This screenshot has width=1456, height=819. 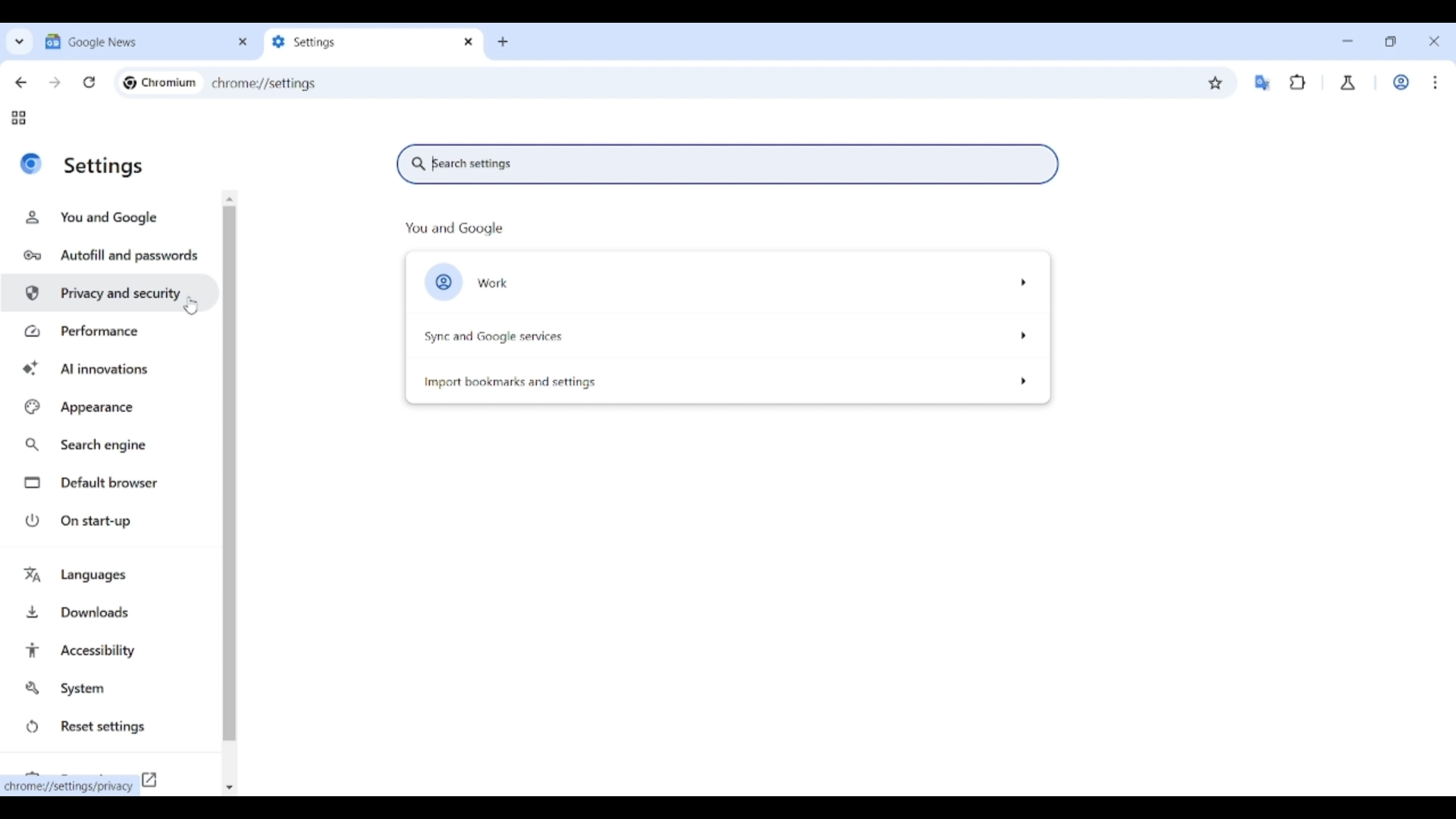 What do you see at coordinates (229, 788) in the screenshot?
I see `Quick slide to bottom` at bounding box center [229, 788].